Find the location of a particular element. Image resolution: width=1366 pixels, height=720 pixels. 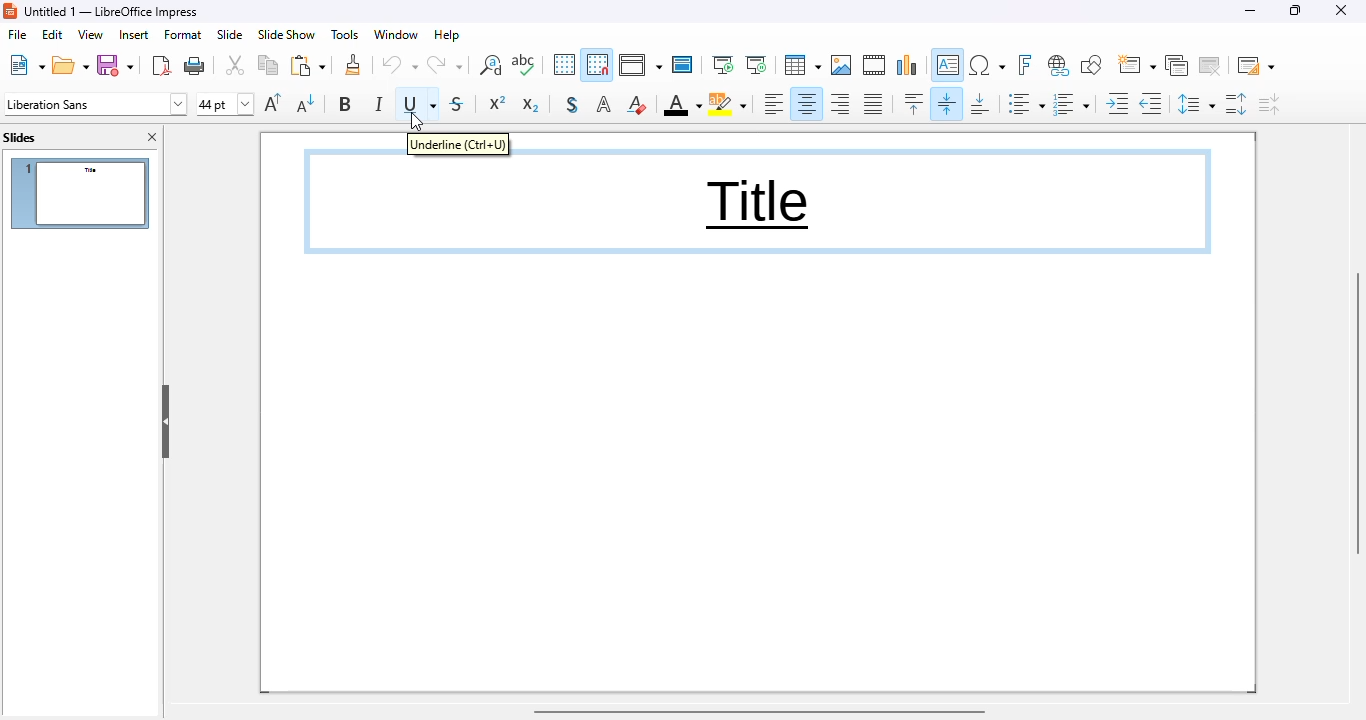

close pane is located at coordinates (153, 136).